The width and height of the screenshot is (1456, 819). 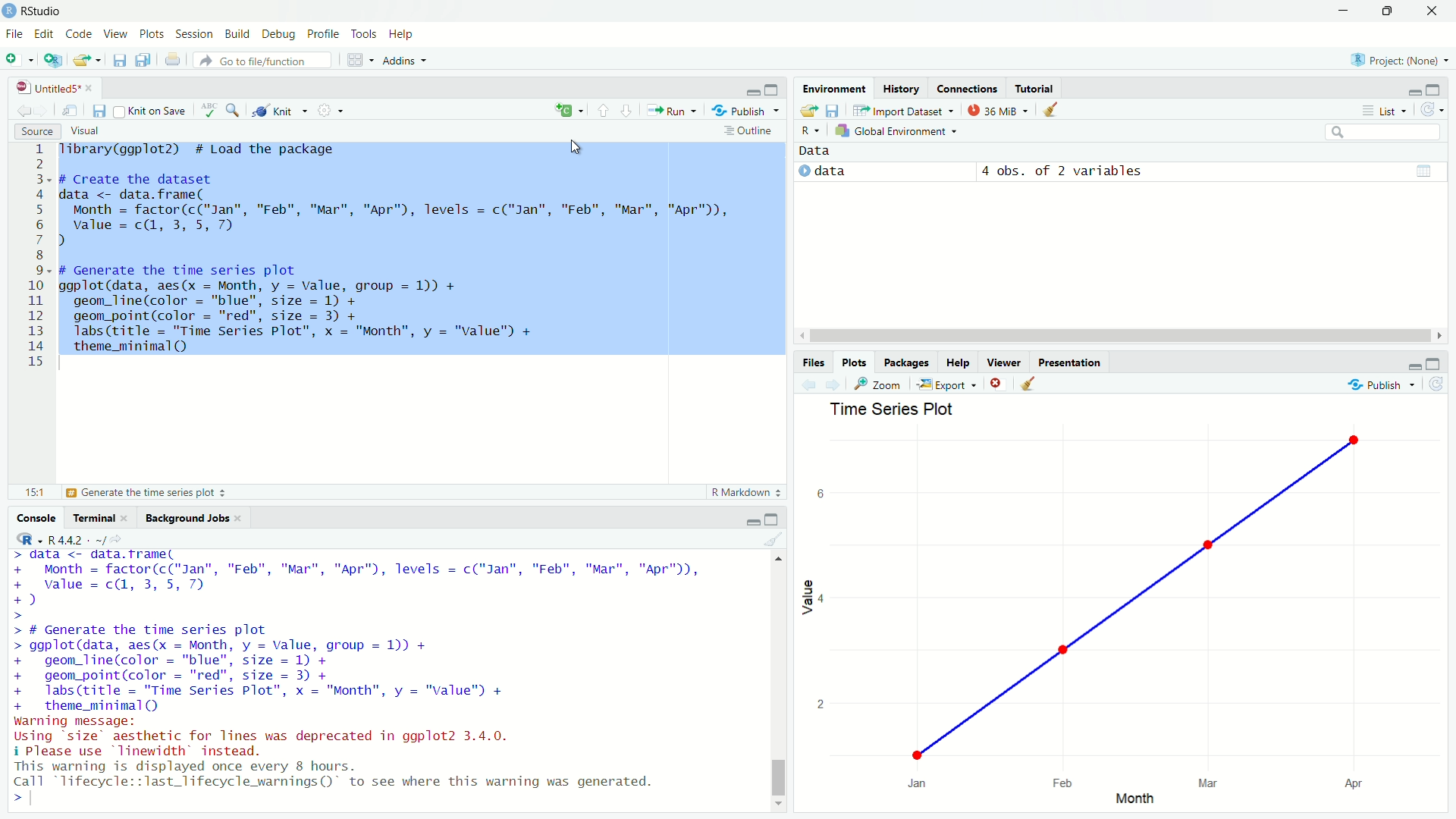 What do you see at coordinates (1438, 334) in the screenshot?
I see `move right` at bounding box center [1438, 334].